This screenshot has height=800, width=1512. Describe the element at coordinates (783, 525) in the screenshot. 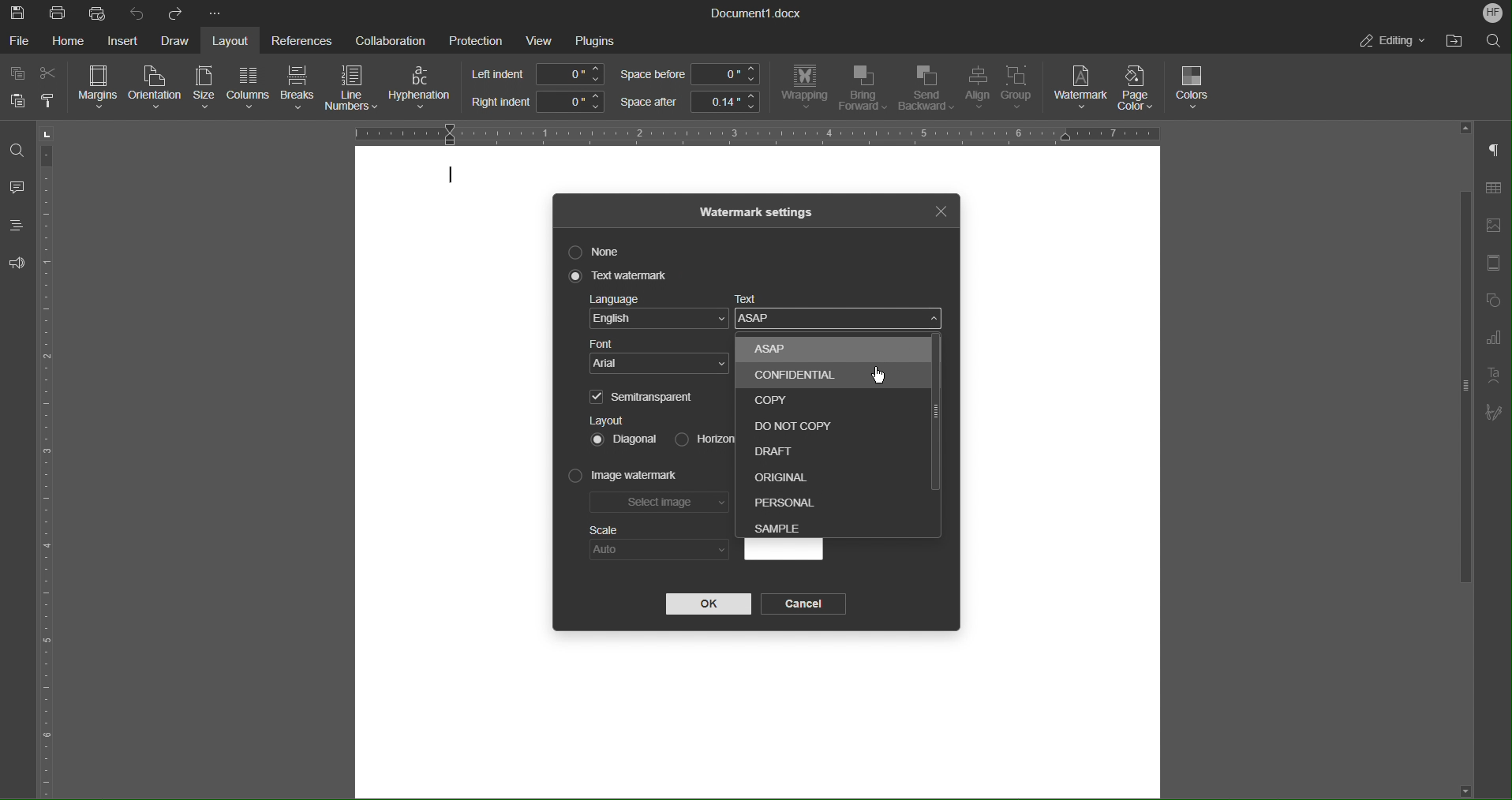

I see `Sample` at that location.